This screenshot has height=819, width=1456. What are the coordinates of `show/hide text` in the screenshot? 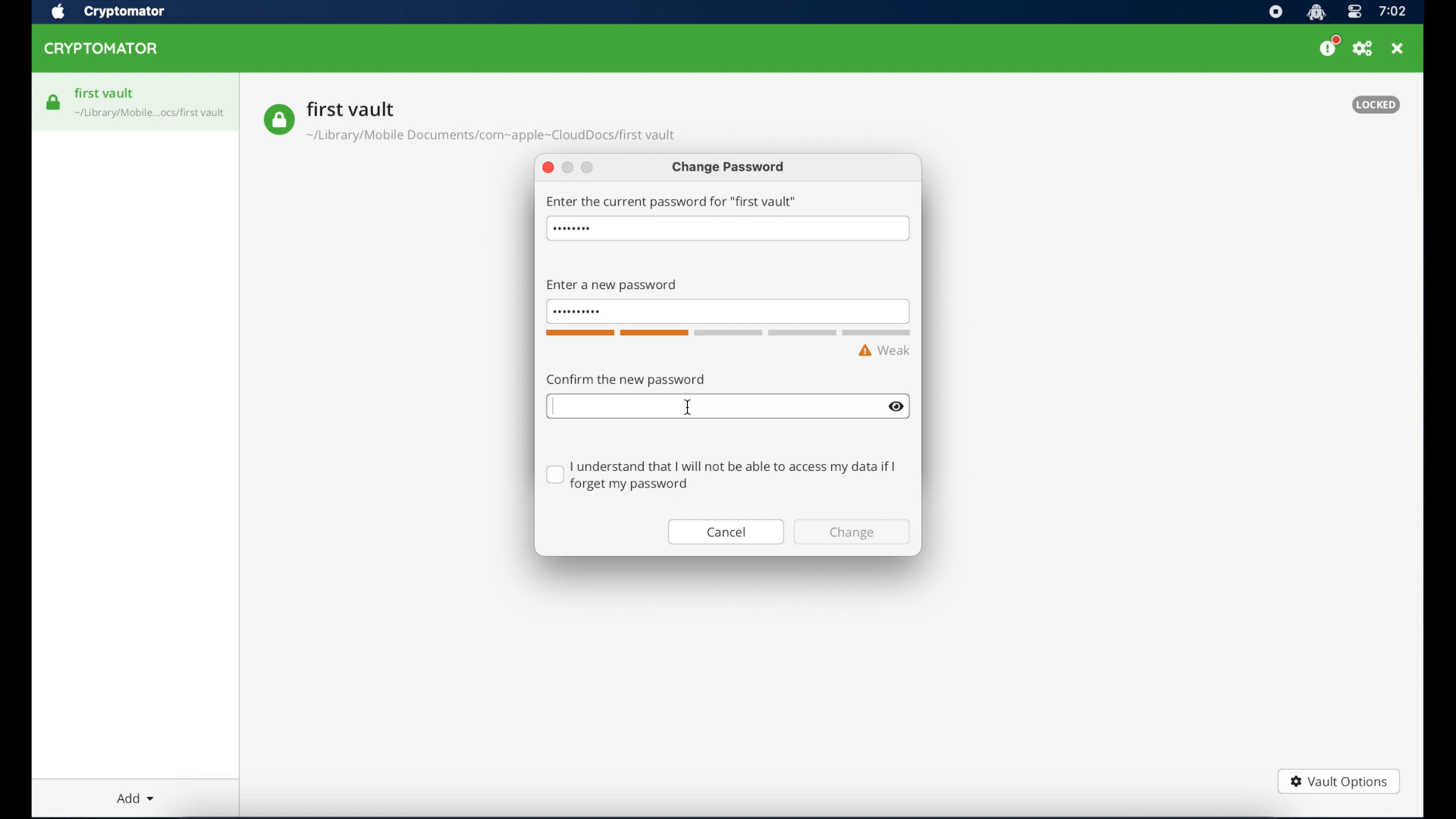 It's located at (896, 406).